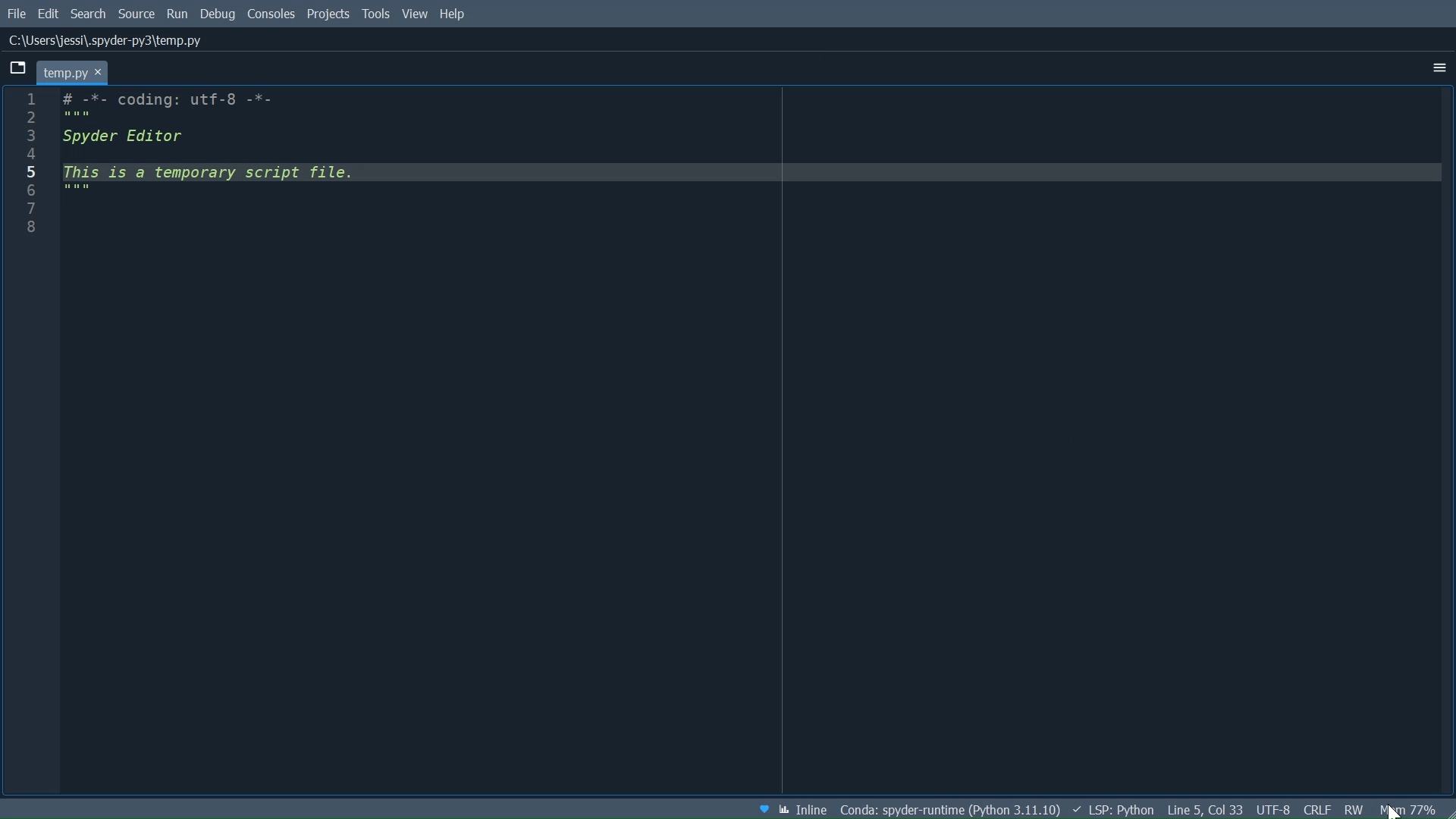 The height and width of the screenshot is (819, 1456). Describe the element at coordinates (1112, 810) in the screenshot. I see `LSP: Python` at that location.